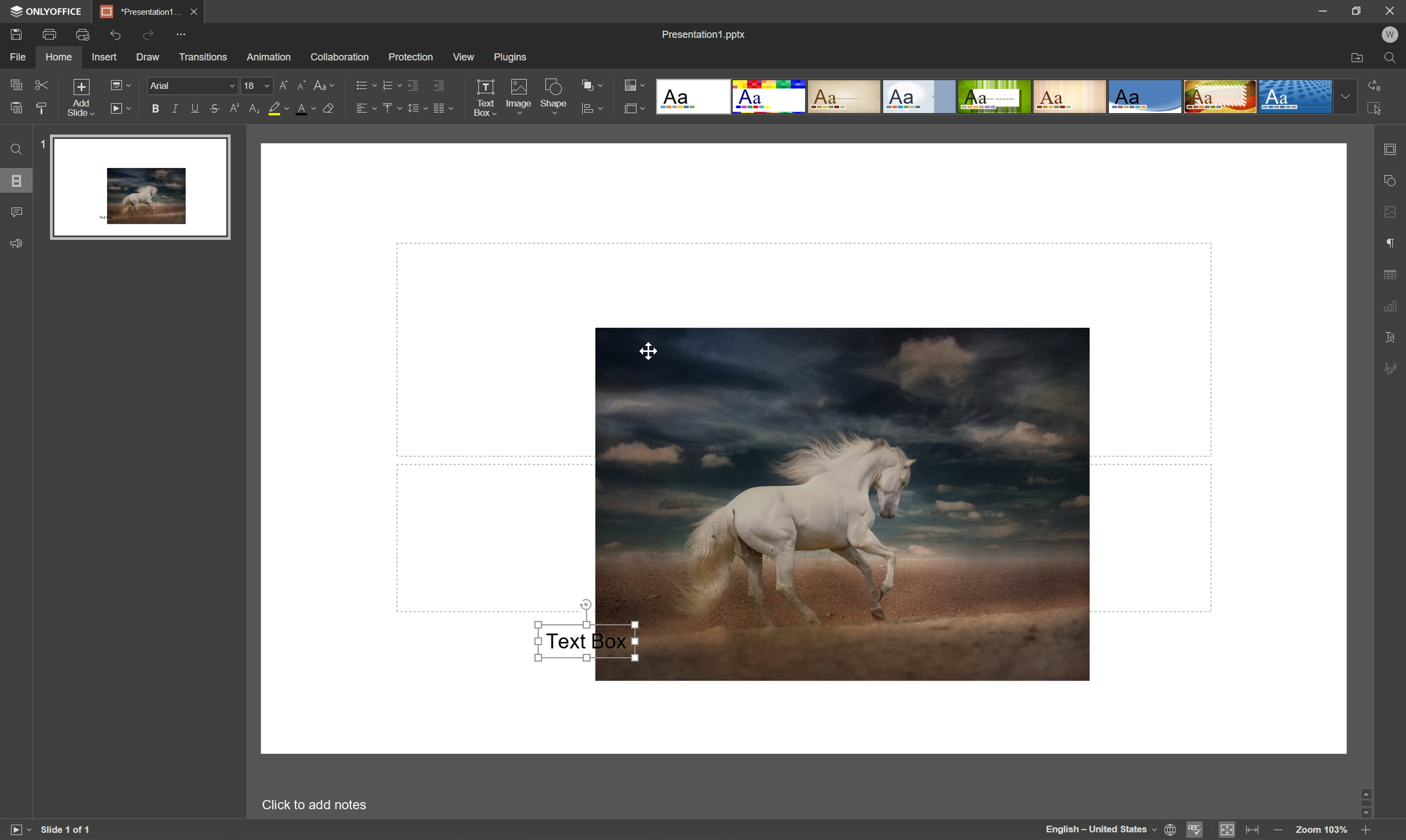 This screenshot has width=1406, height=840. Describe the element at coordinates (331, 109) in the screenshot. I see `Clear style` at that location.